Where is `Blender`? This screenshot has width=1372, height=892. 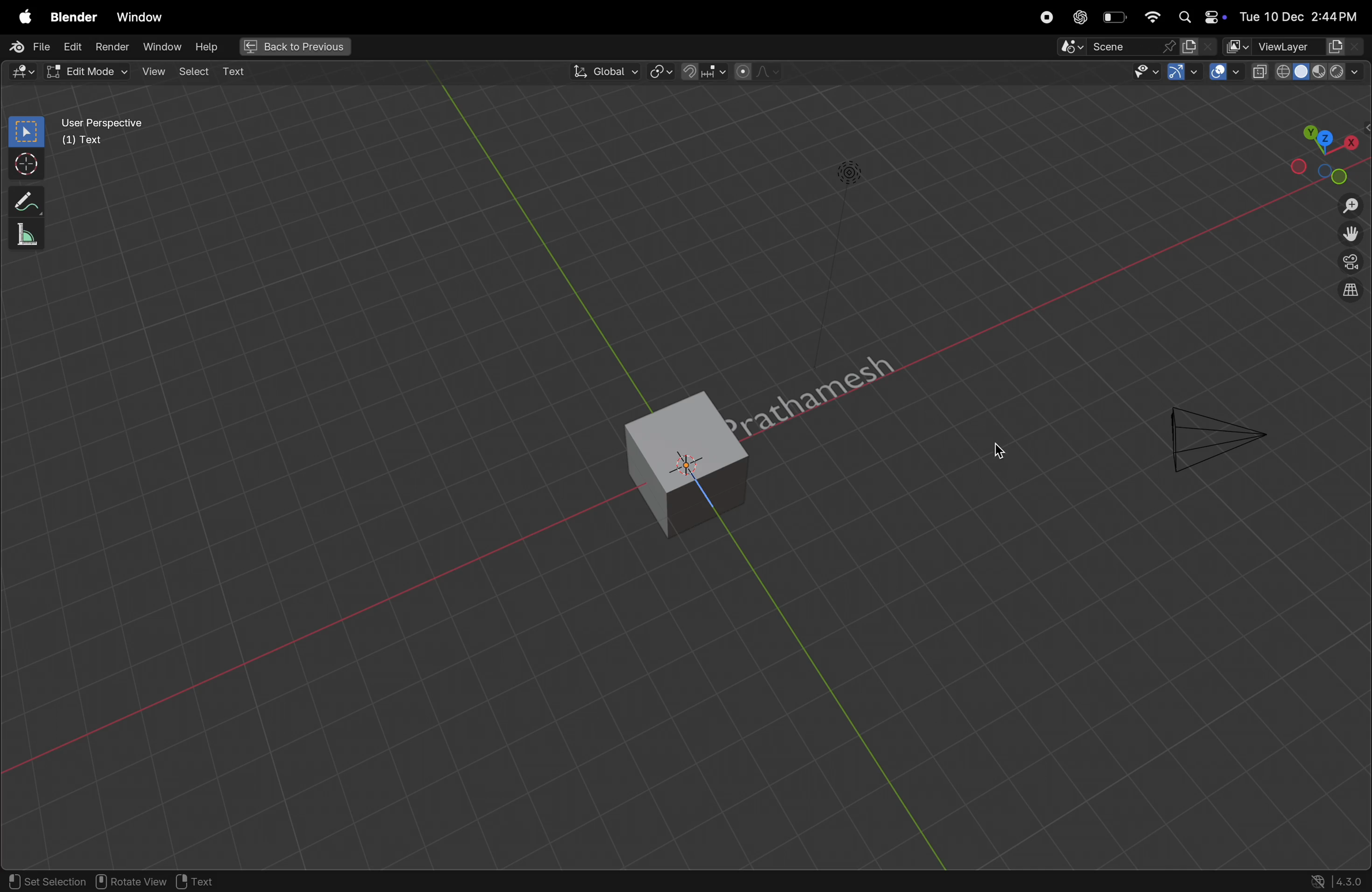
Blender is located at coordinates (72, 18).